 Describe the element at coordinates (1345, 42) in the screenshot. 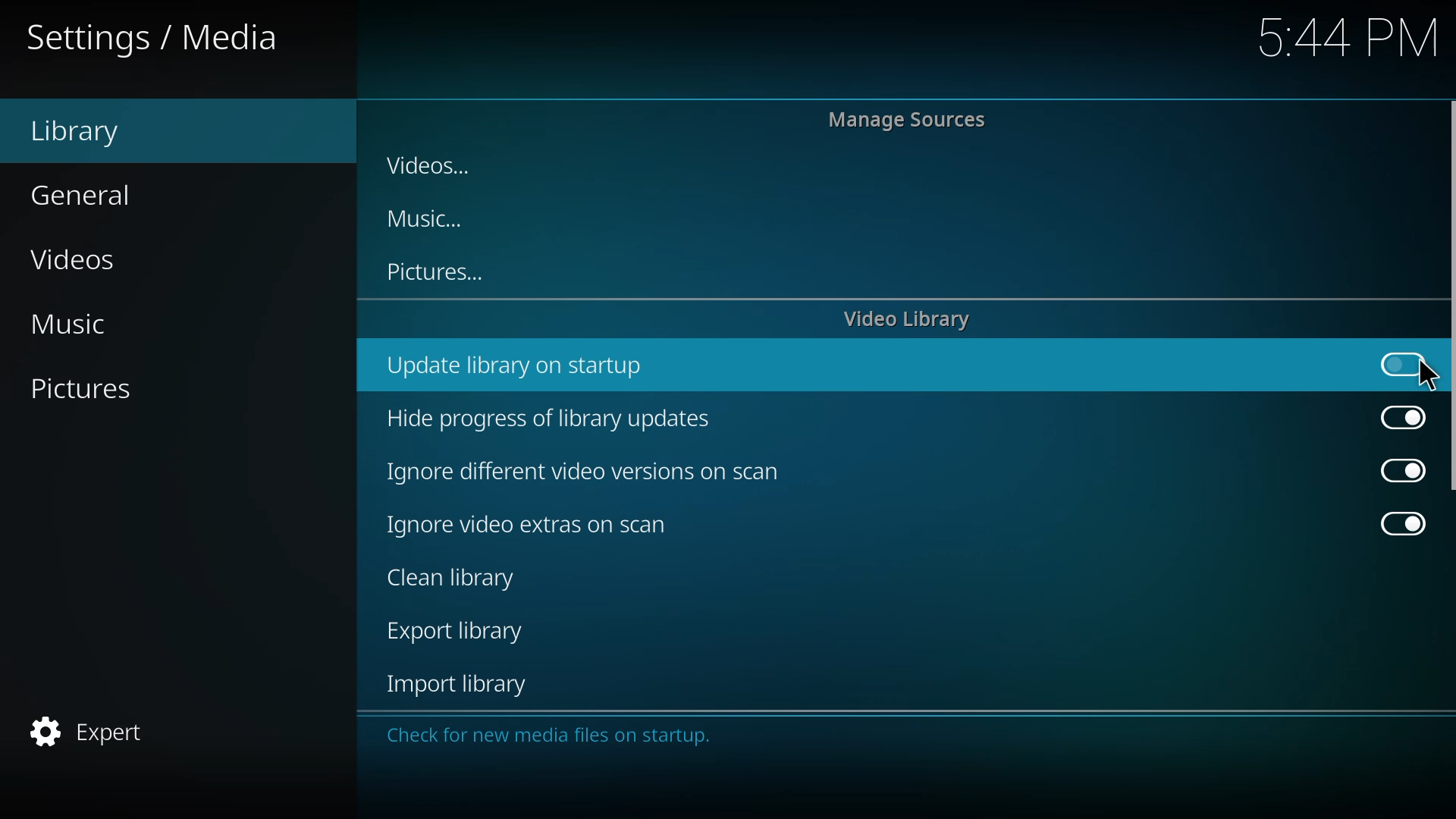

I see `5:44 PNM` at that location.